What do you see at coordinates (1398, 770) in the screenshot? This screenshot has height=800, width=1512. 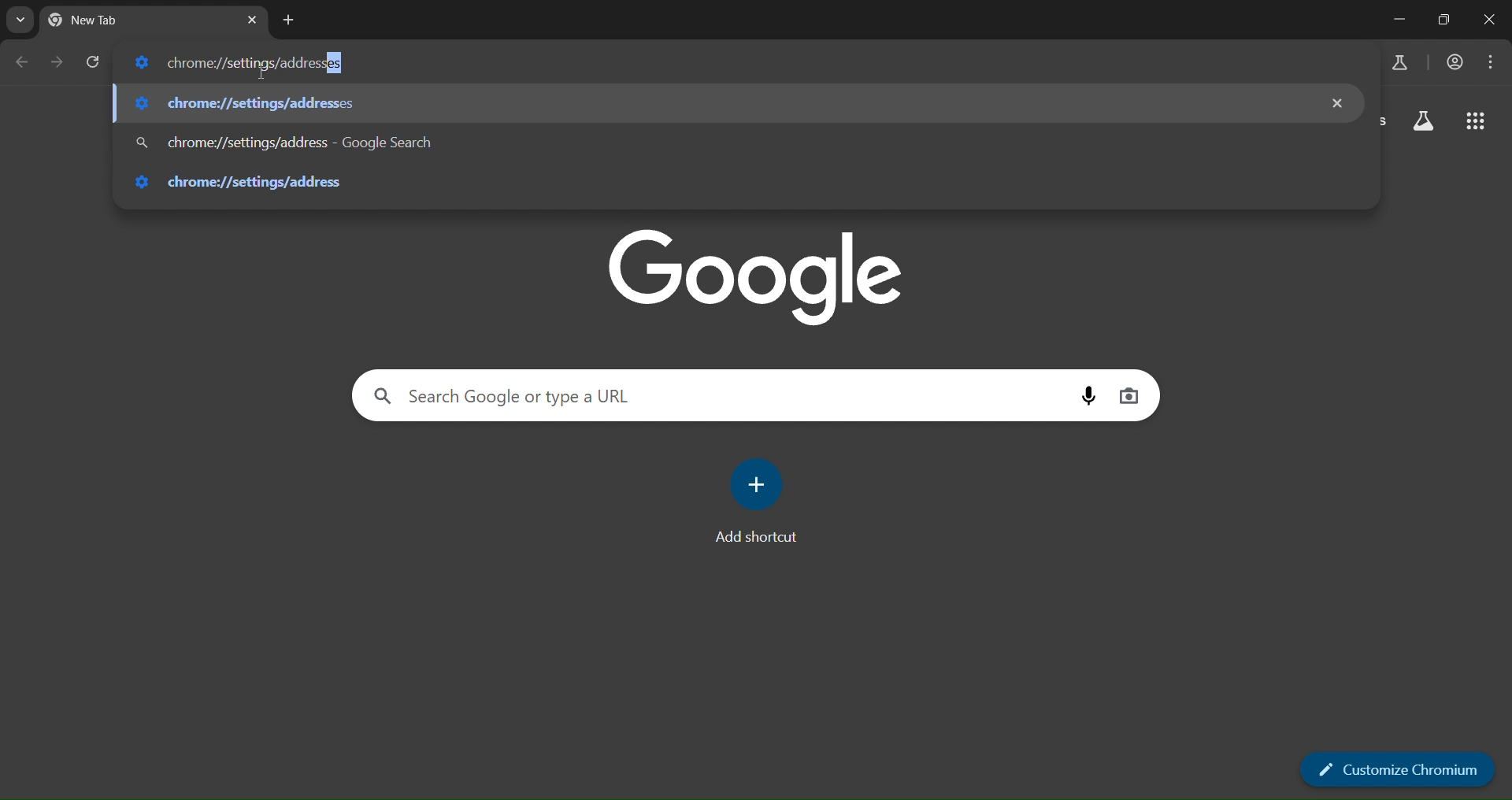 I see `customize chromium` at bounding box center [1398, 770].